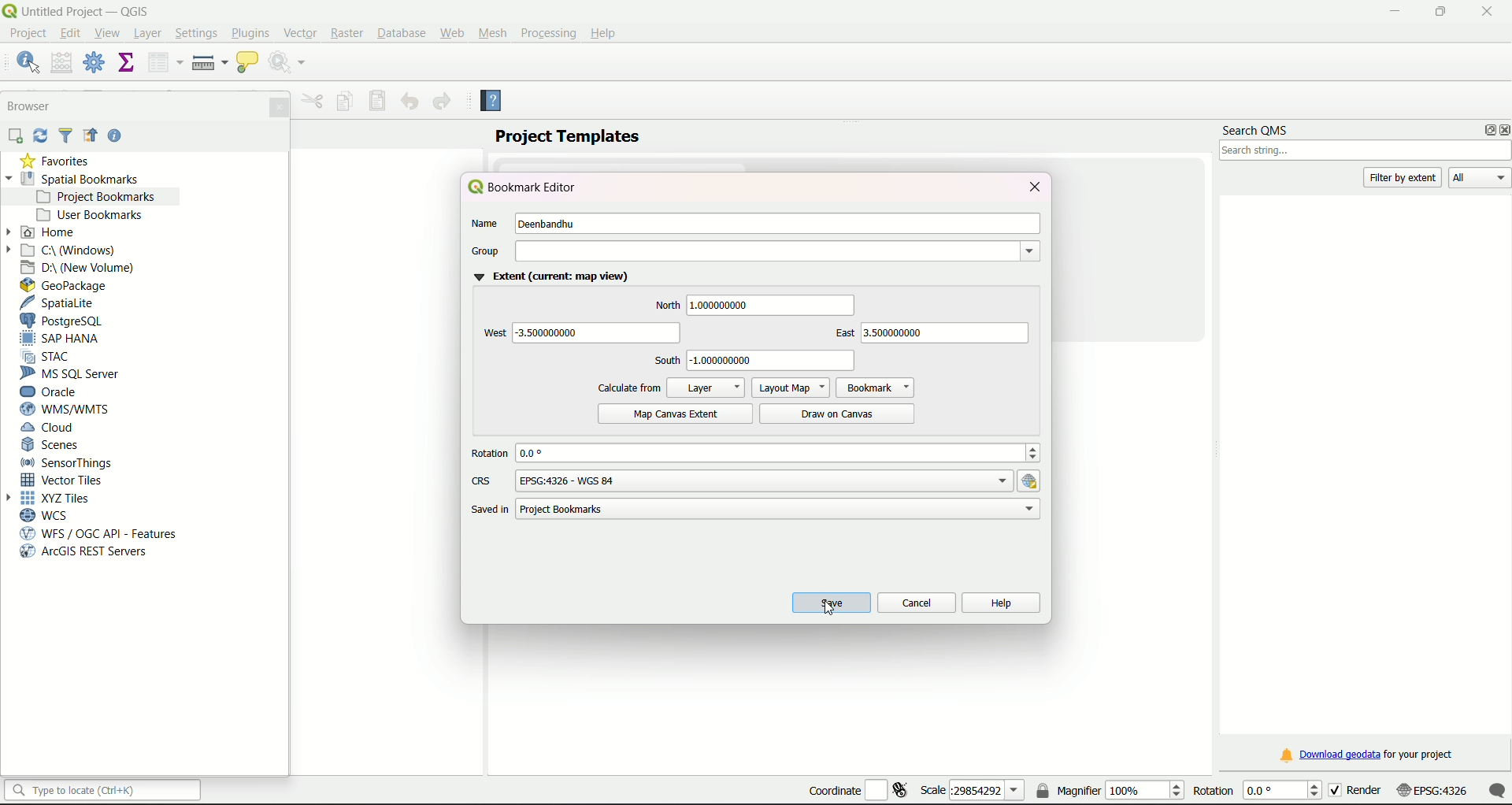  What do you see at coordinates (1461, 792) in the screenshot?
I see `scale` at bounding box center [1461, 792].